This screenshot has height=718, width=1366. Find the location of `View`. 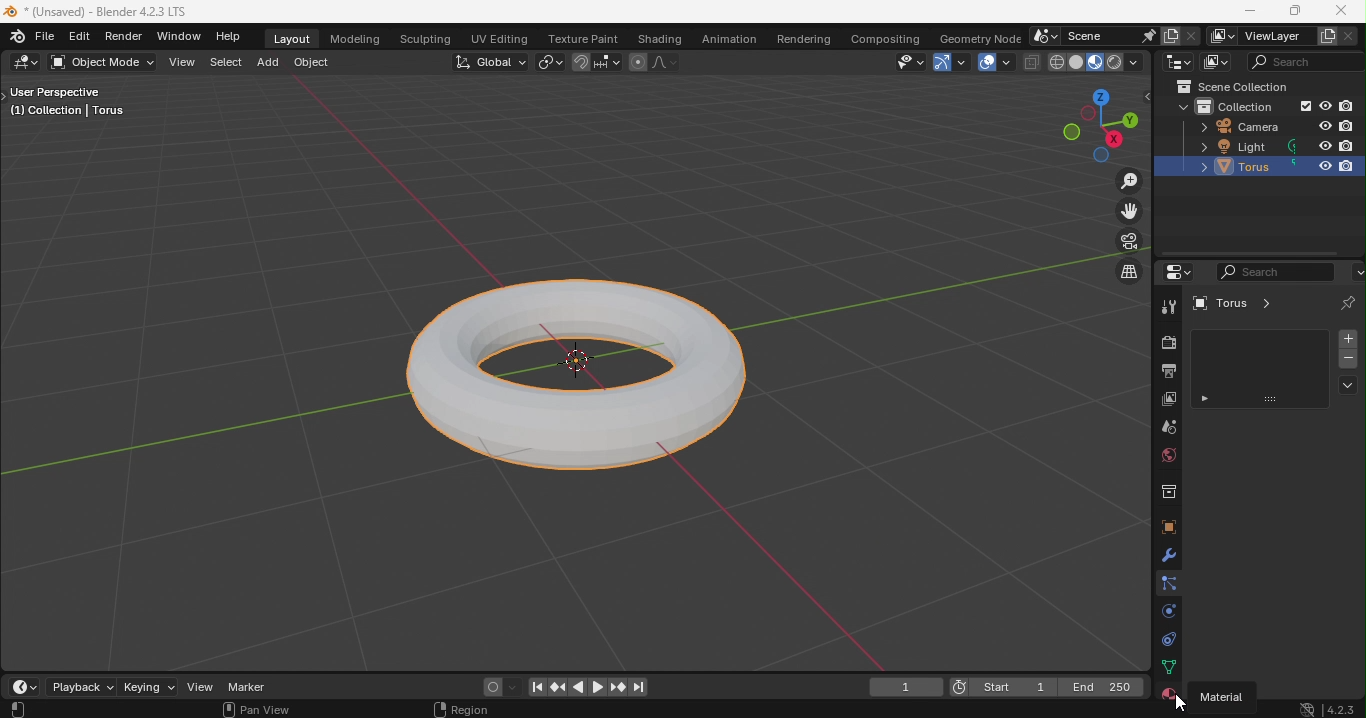

View is located at coordinates (200, 688).